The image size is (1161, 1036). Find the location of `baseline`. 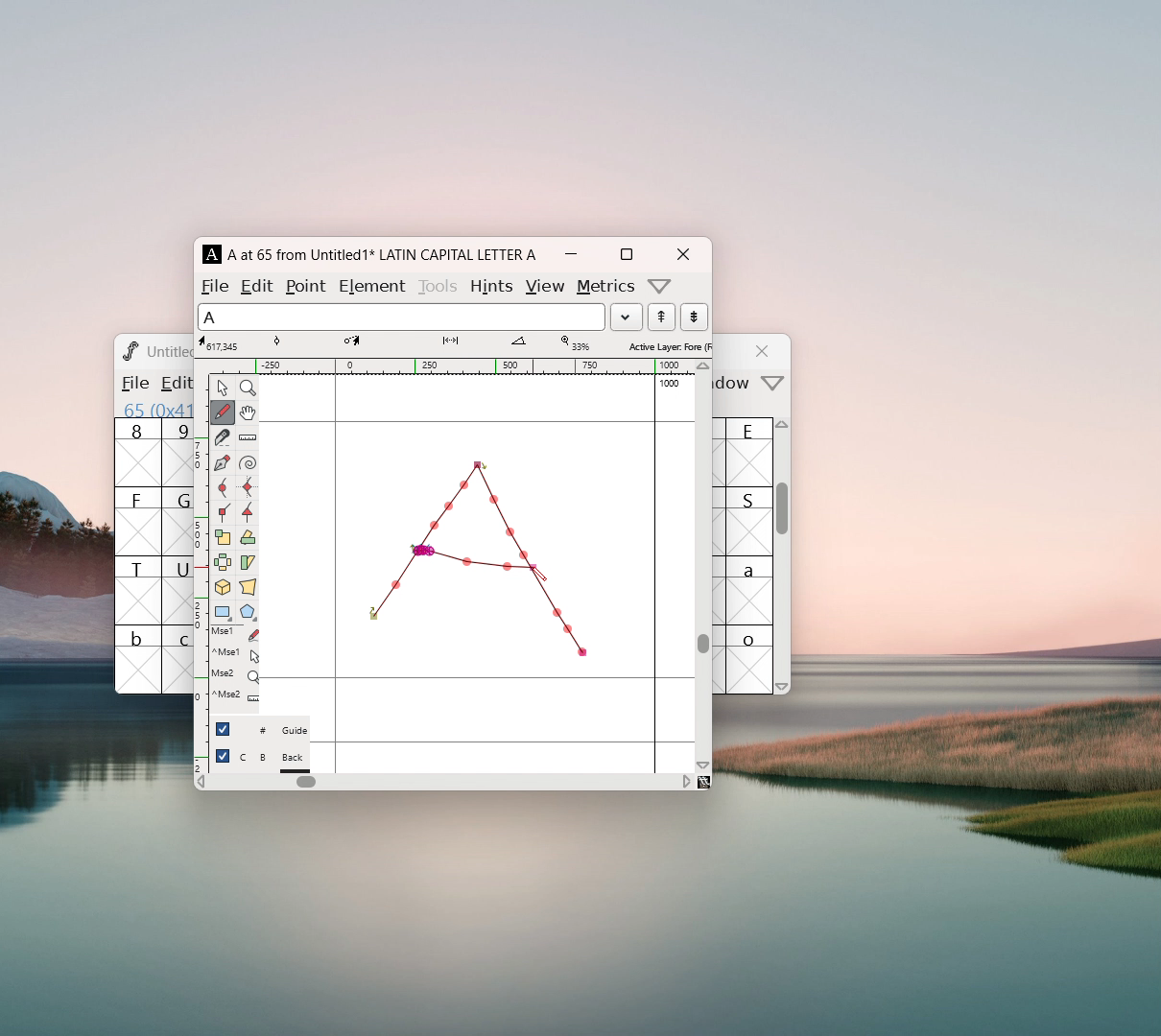

baseline is located at coordinates (478, 678).